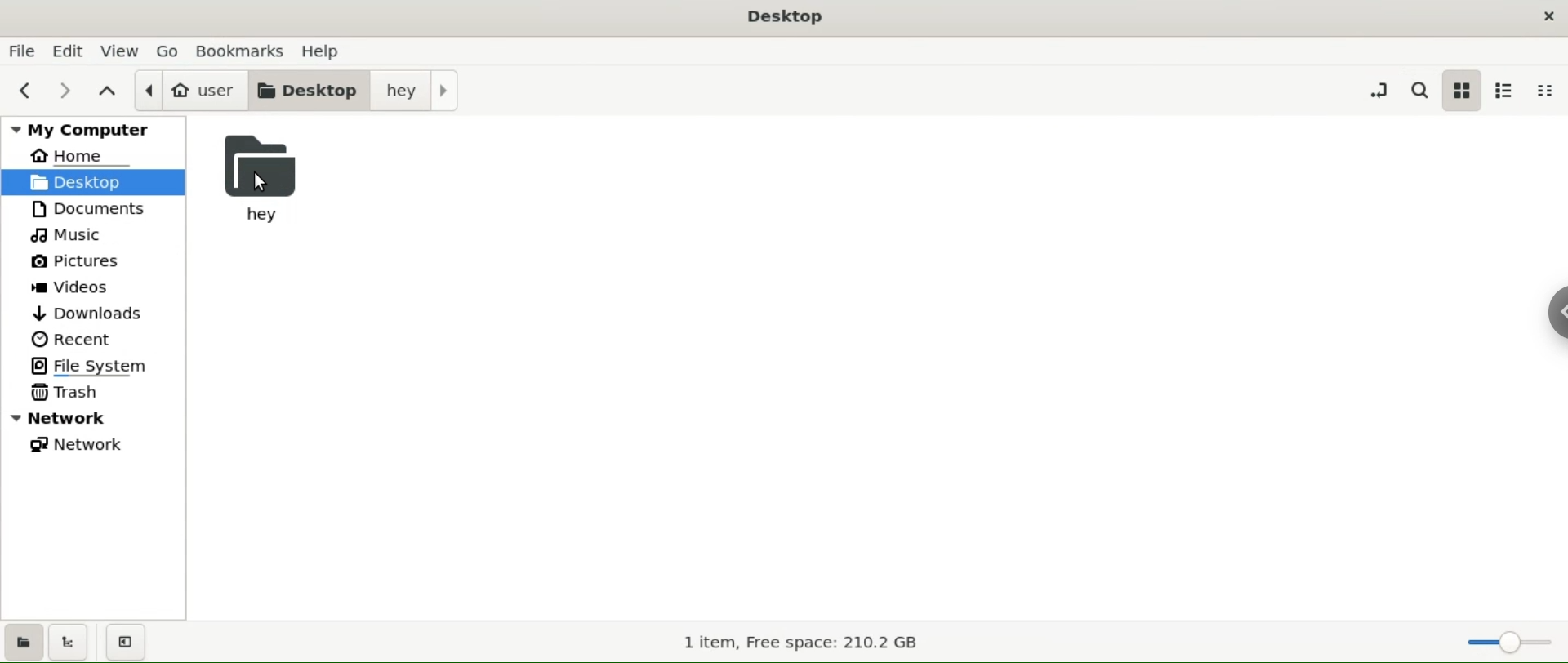 The image size is (1568, 663). What do you see at coordinates (27, 91) in the screenshot?
I see `previous` at bounding box center [27, 91].